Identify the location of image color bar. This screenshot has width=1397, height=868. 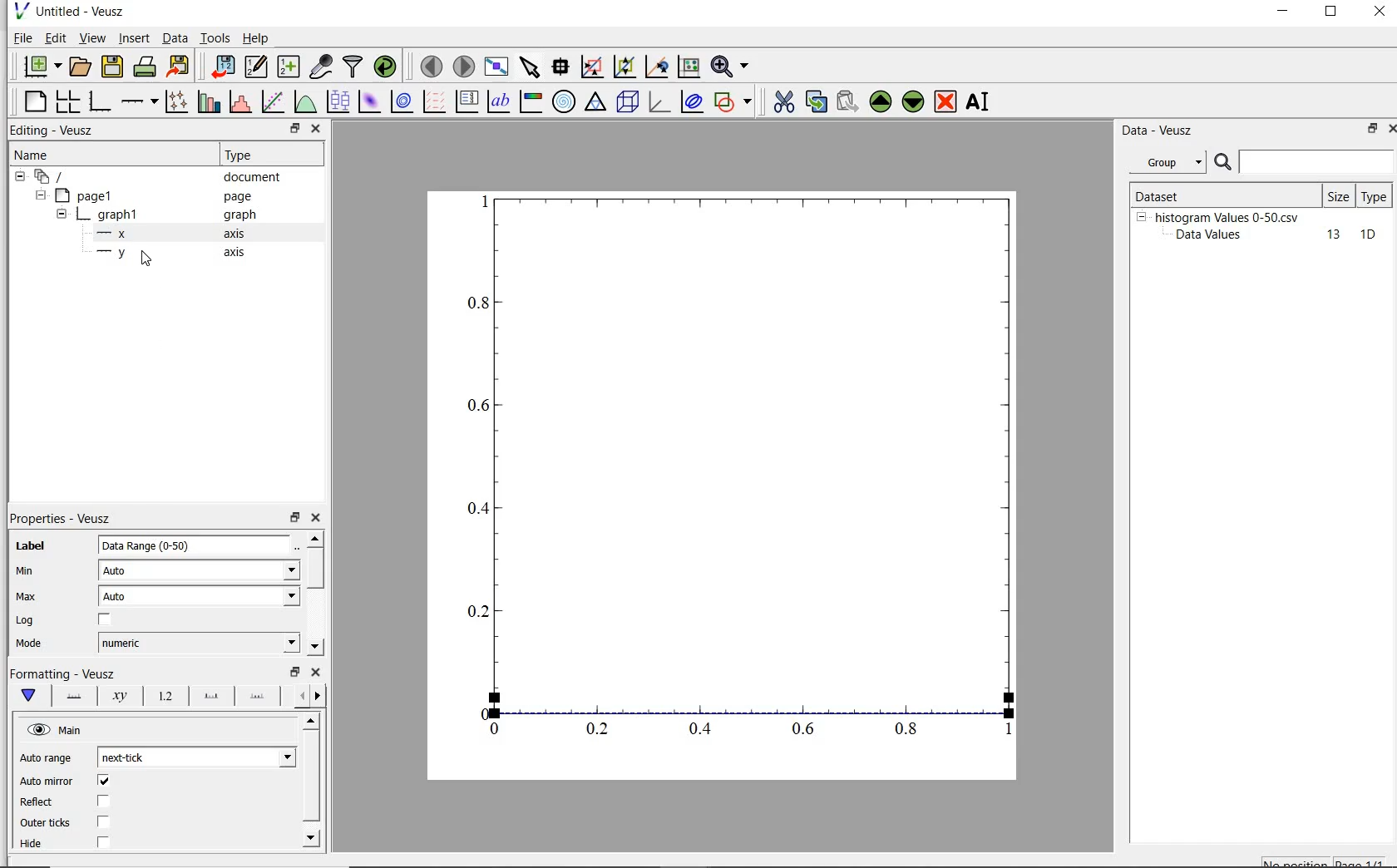
(532, 101).